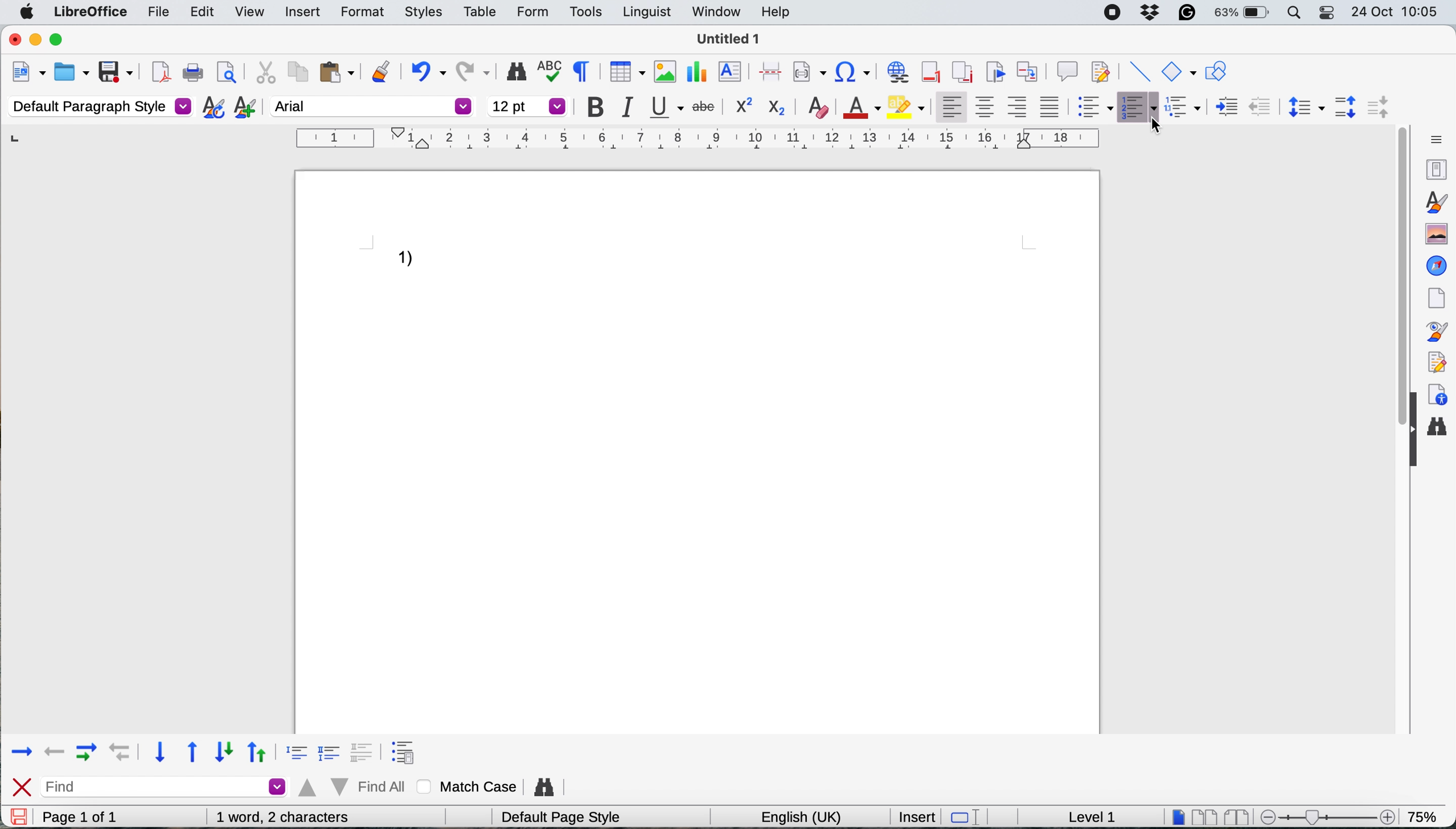 This screenshot has height=829, width=1456. Describe the element at coordinates (819, 106) in the screenshot. I see `clear direct formatting` at that location.